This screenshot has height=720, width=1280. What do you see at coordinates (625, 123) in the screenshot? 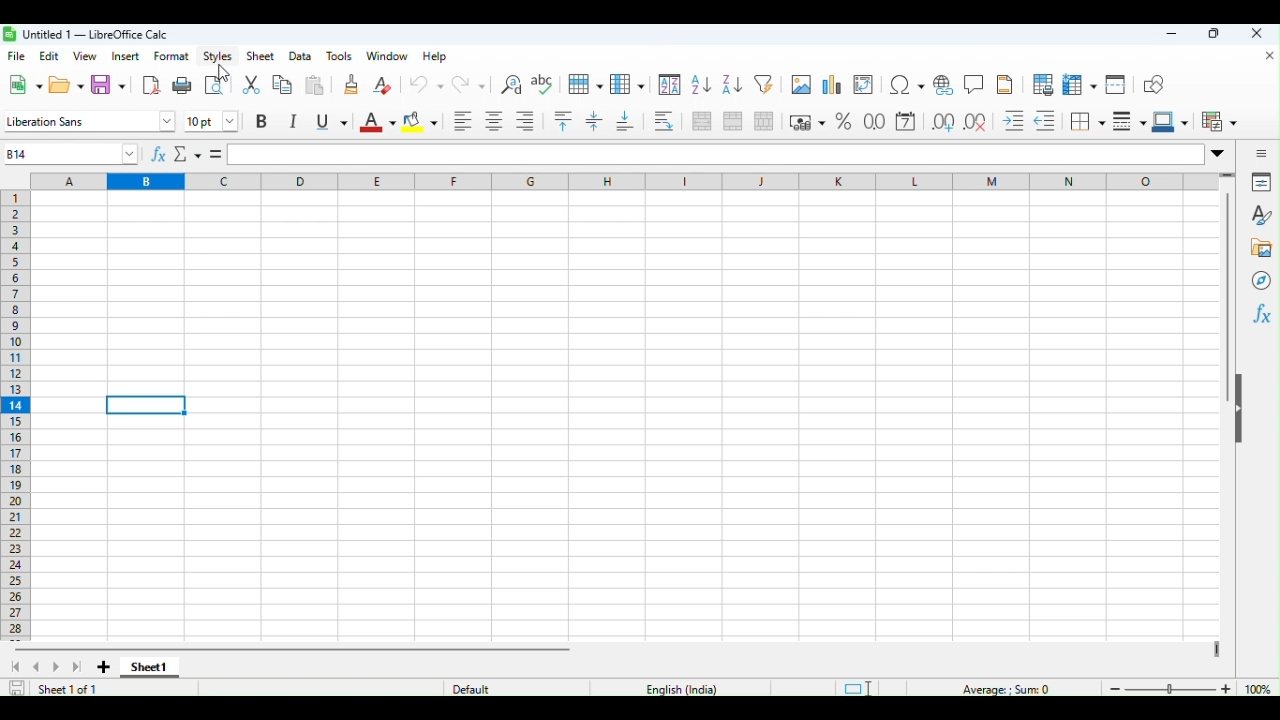
I see `Bottom alignment` at bounding box center [625, 123].